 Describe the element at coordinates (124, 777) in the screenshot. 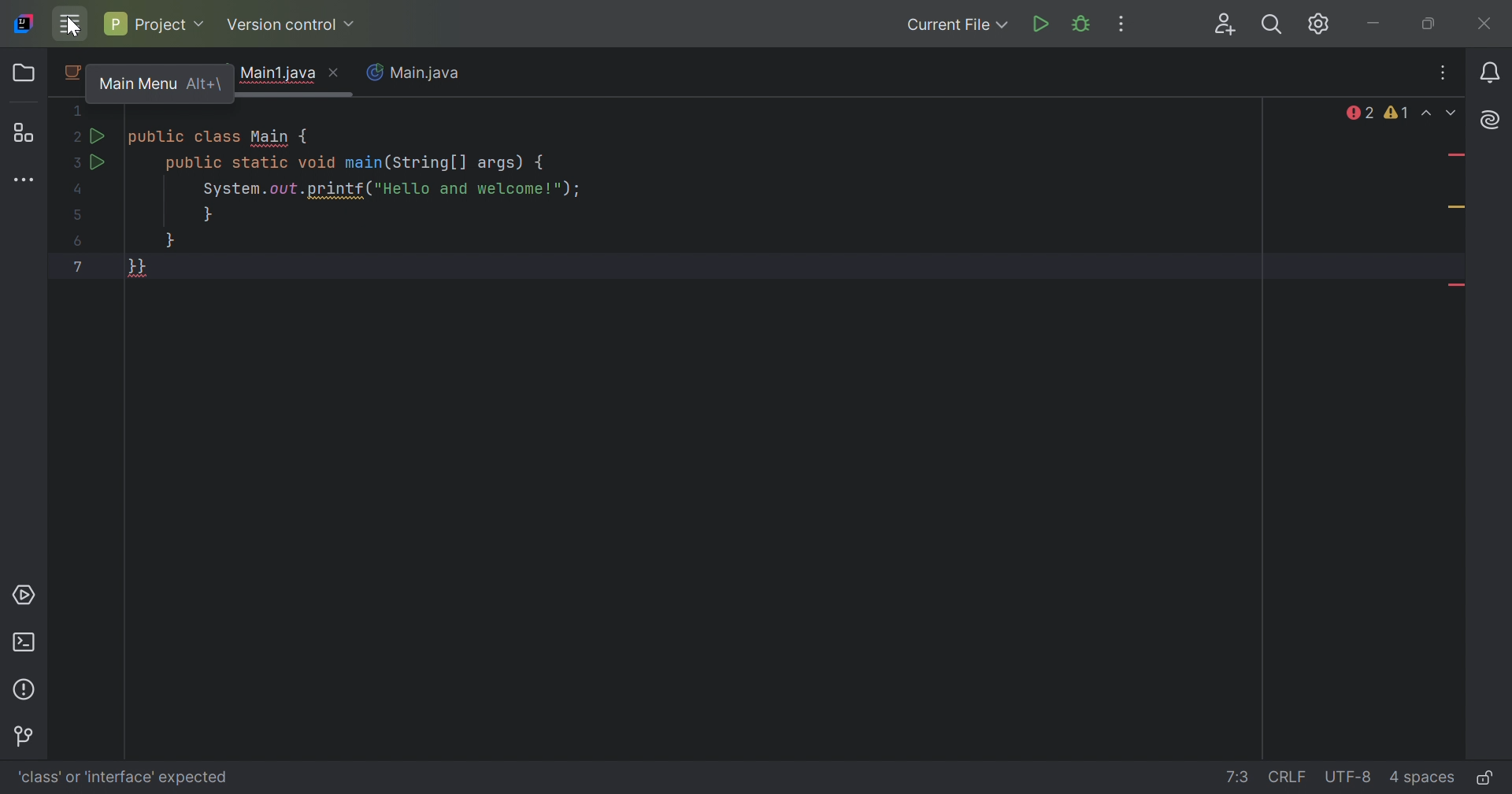

I see `'class' or 'interface' expected` at that location.